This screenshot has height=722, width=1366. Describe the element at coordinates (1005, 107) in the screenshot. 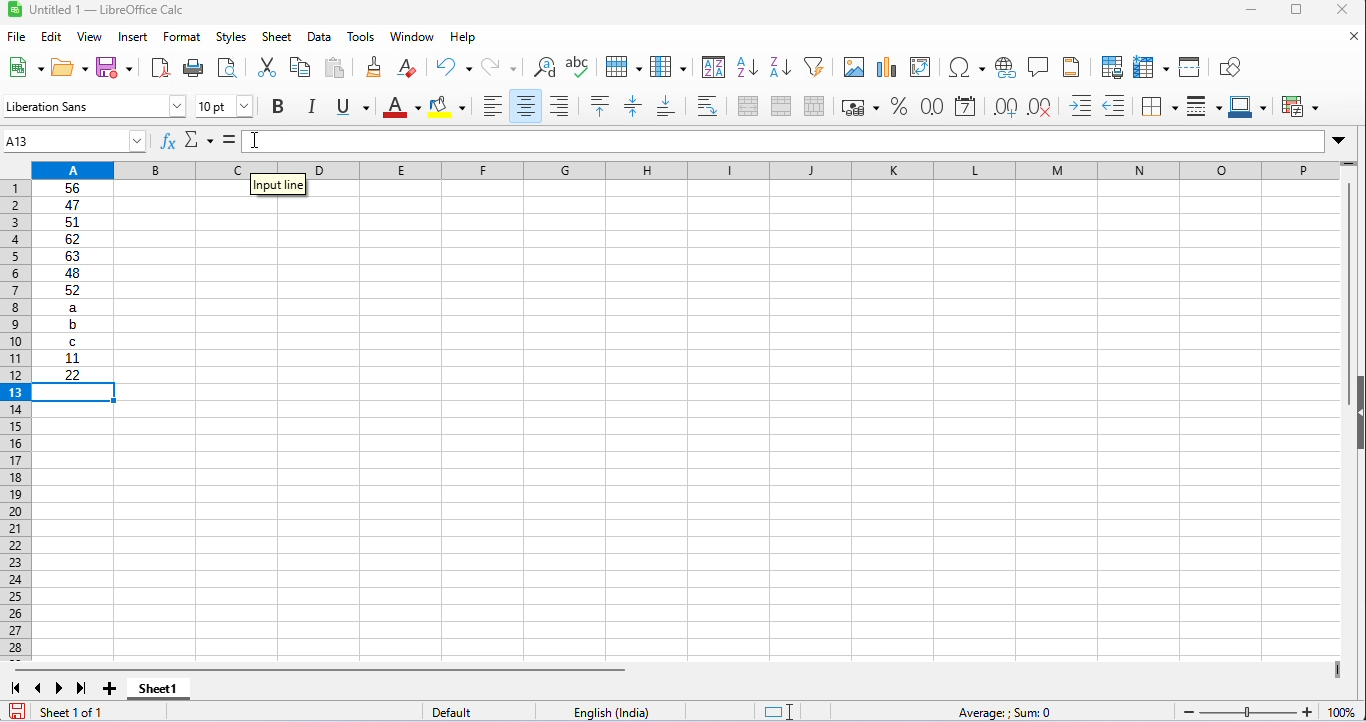

I see `add decimal place` at that location.